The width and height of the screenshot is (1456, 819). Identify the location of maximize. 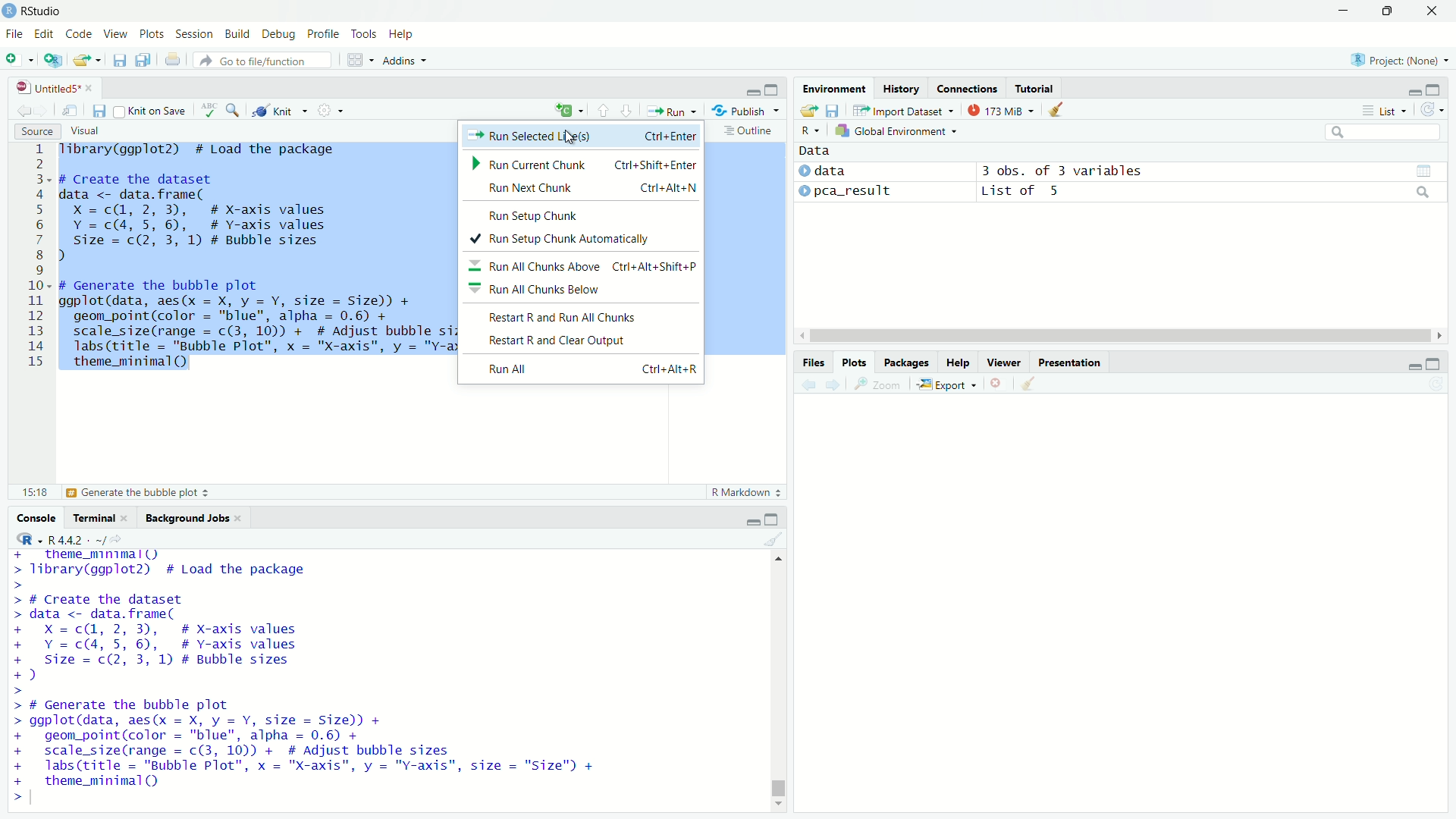
(772, 519).